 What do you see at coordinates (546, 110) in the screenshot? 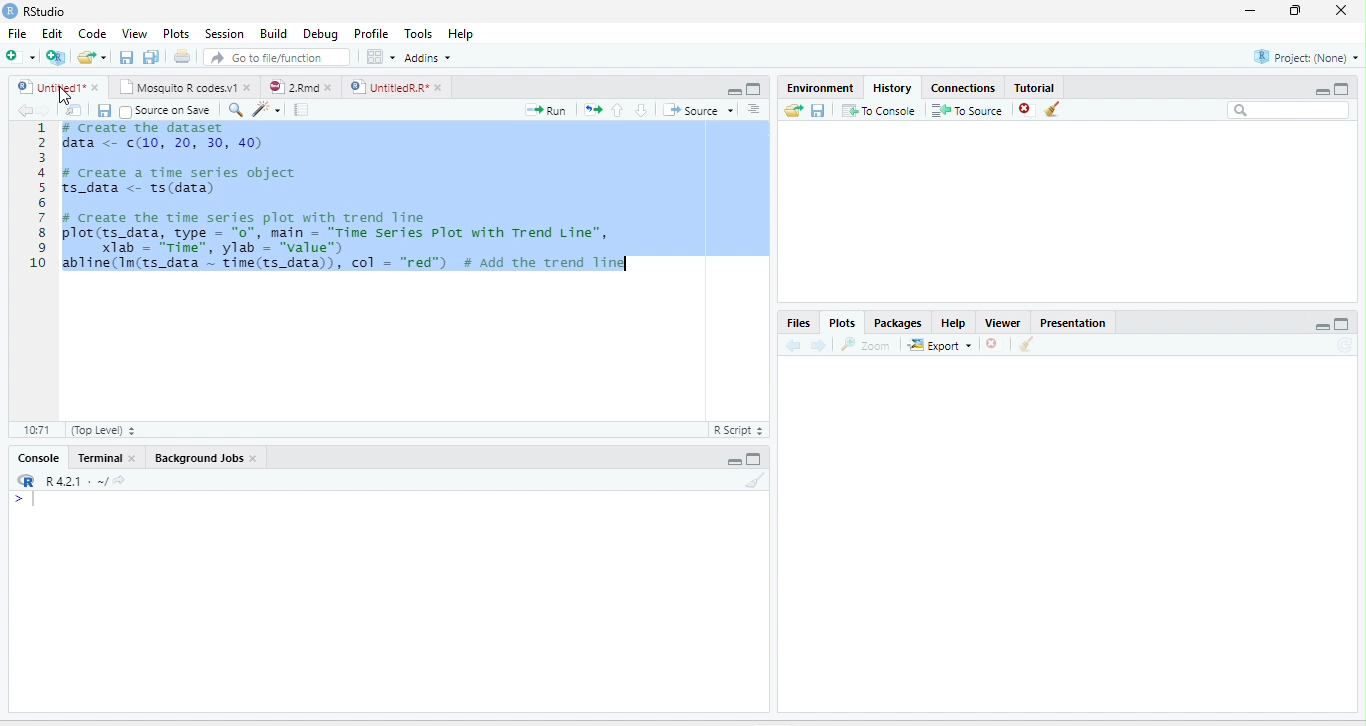
I see `Run` at bounding box center [546, 110].